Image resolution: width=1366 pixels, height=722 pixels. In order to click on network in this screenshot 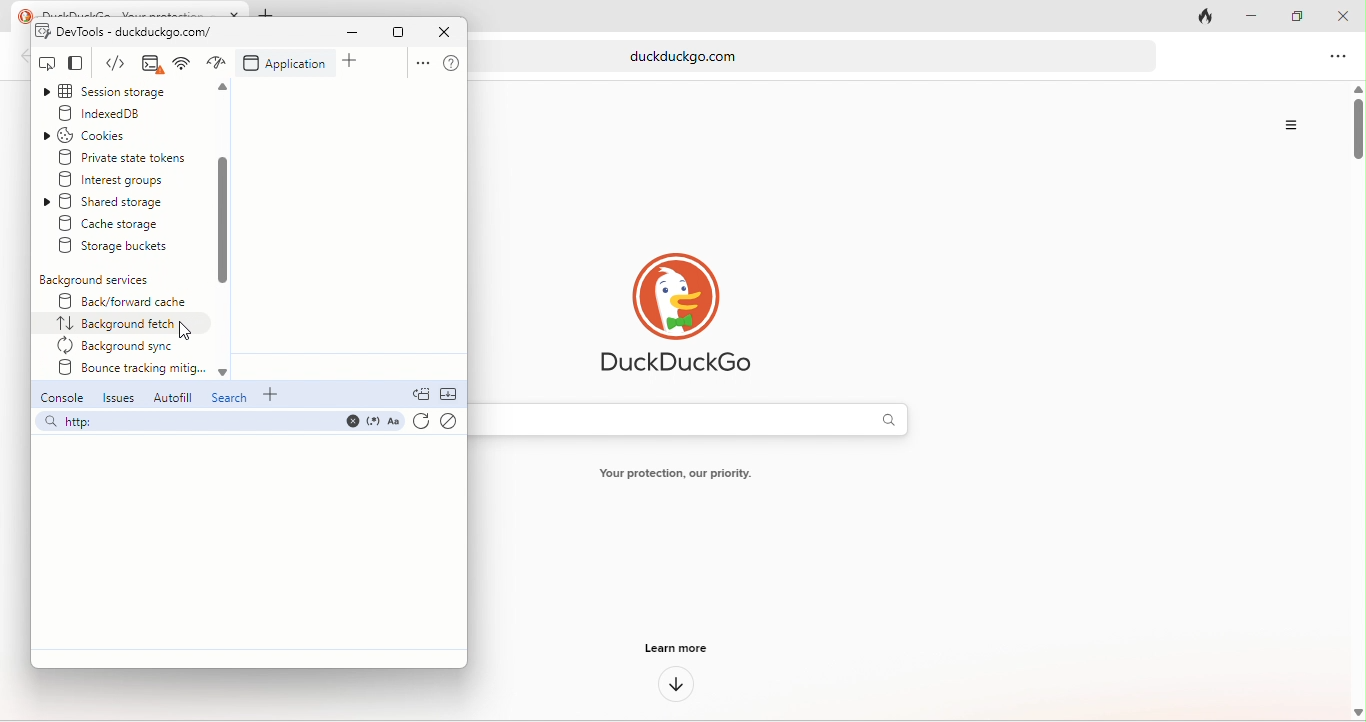, I will do `click(216, 63)`.